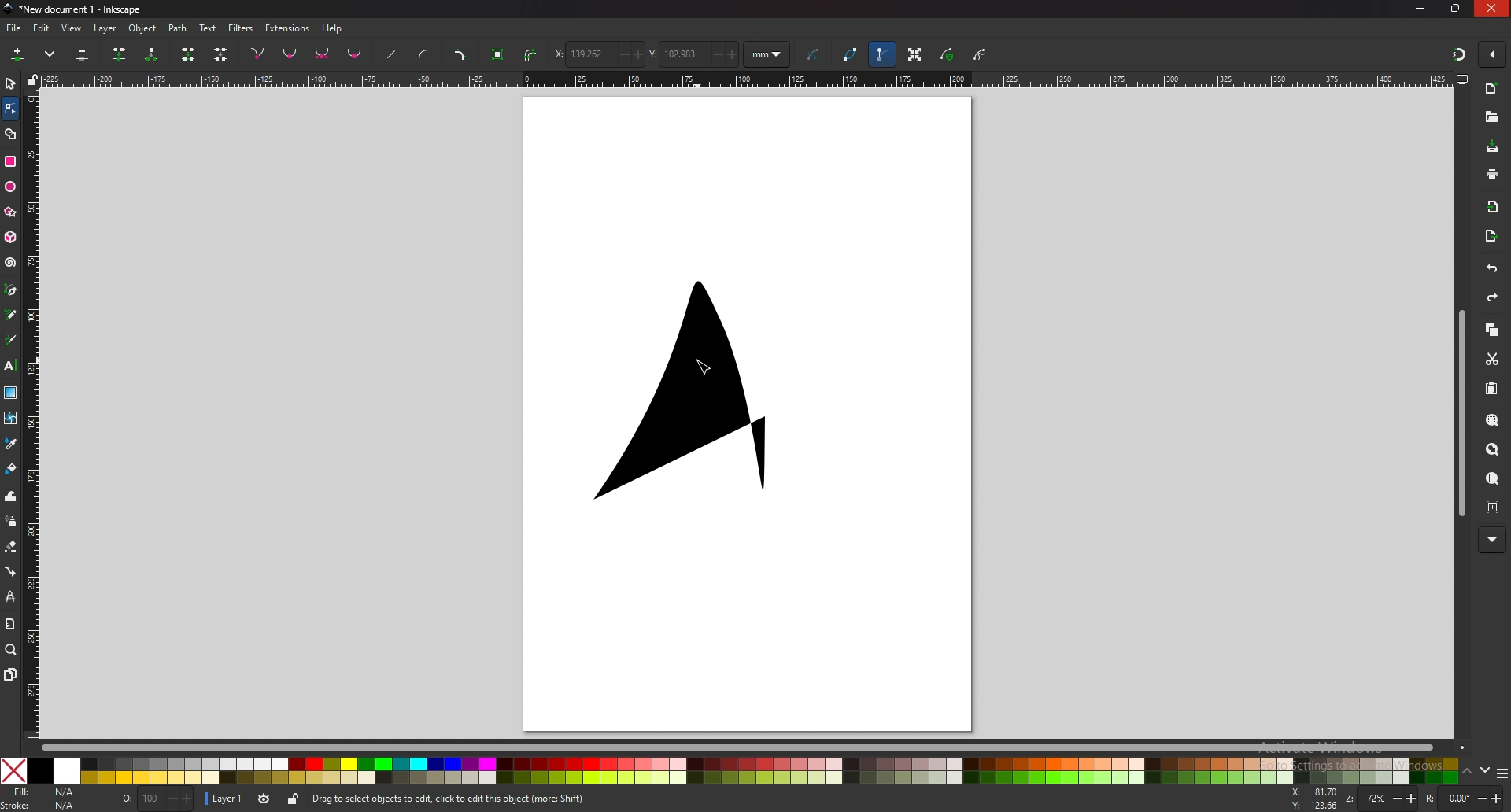 This screenshot has width=1511, height=812. Describe the element at coordinates (190, 54) in the screenshot. I see `join endnodes` at that location.